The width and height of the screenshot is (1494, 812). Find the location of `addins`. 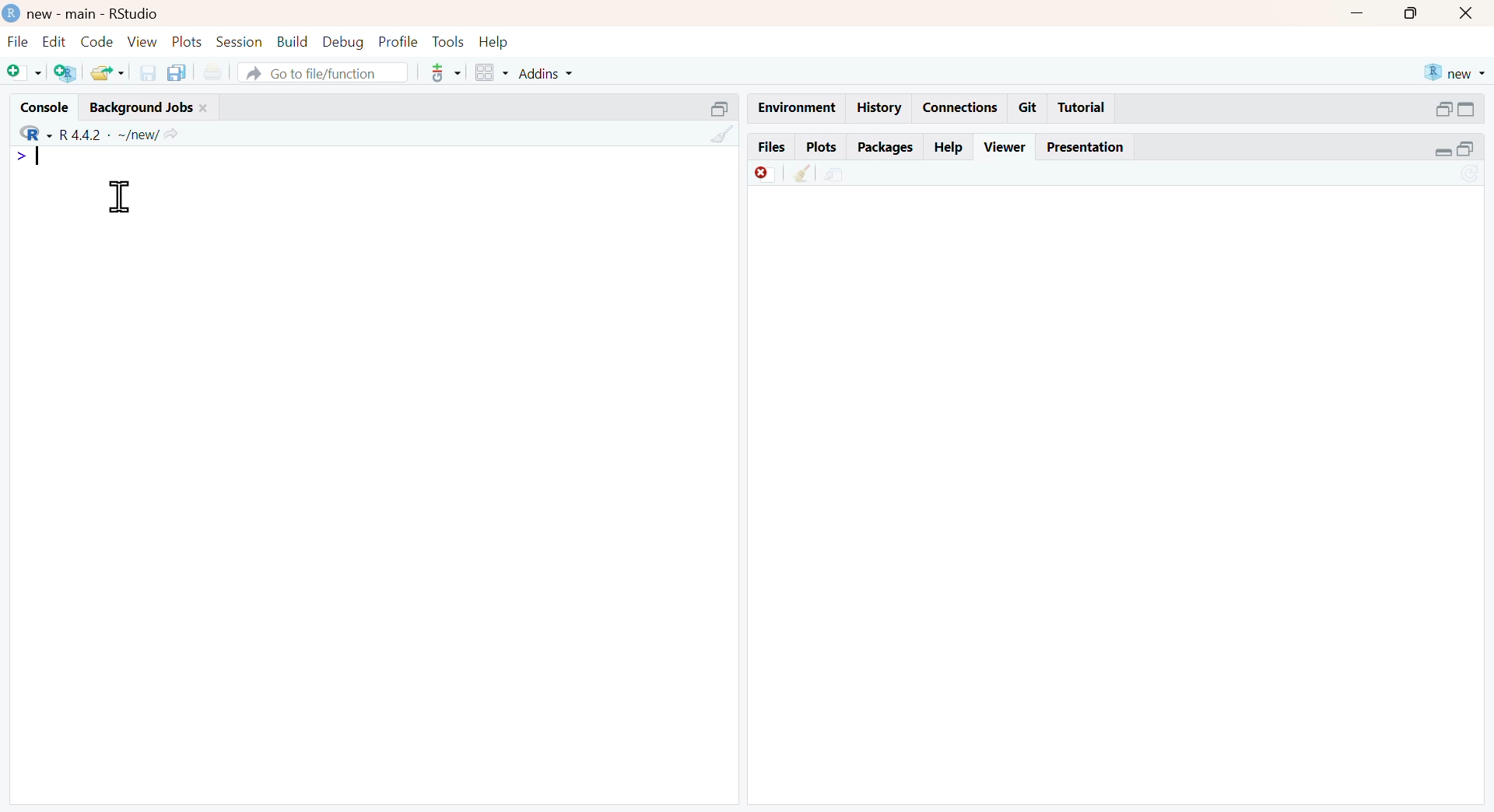

addins is located at coordinates (545, 75).